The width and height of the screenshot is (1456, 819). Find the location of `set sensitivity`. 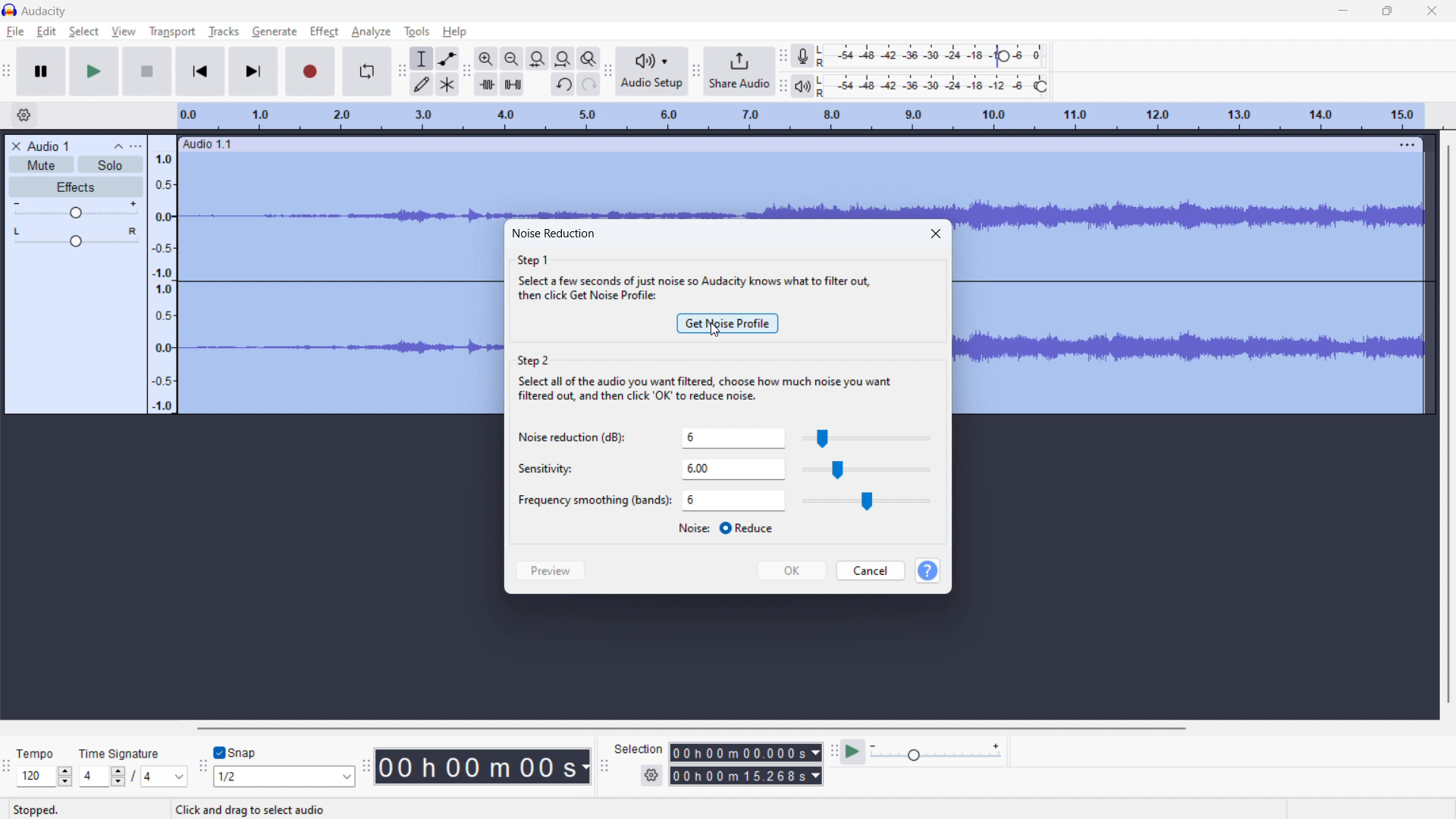

set sensitivity is located at coordinates (733, 470).